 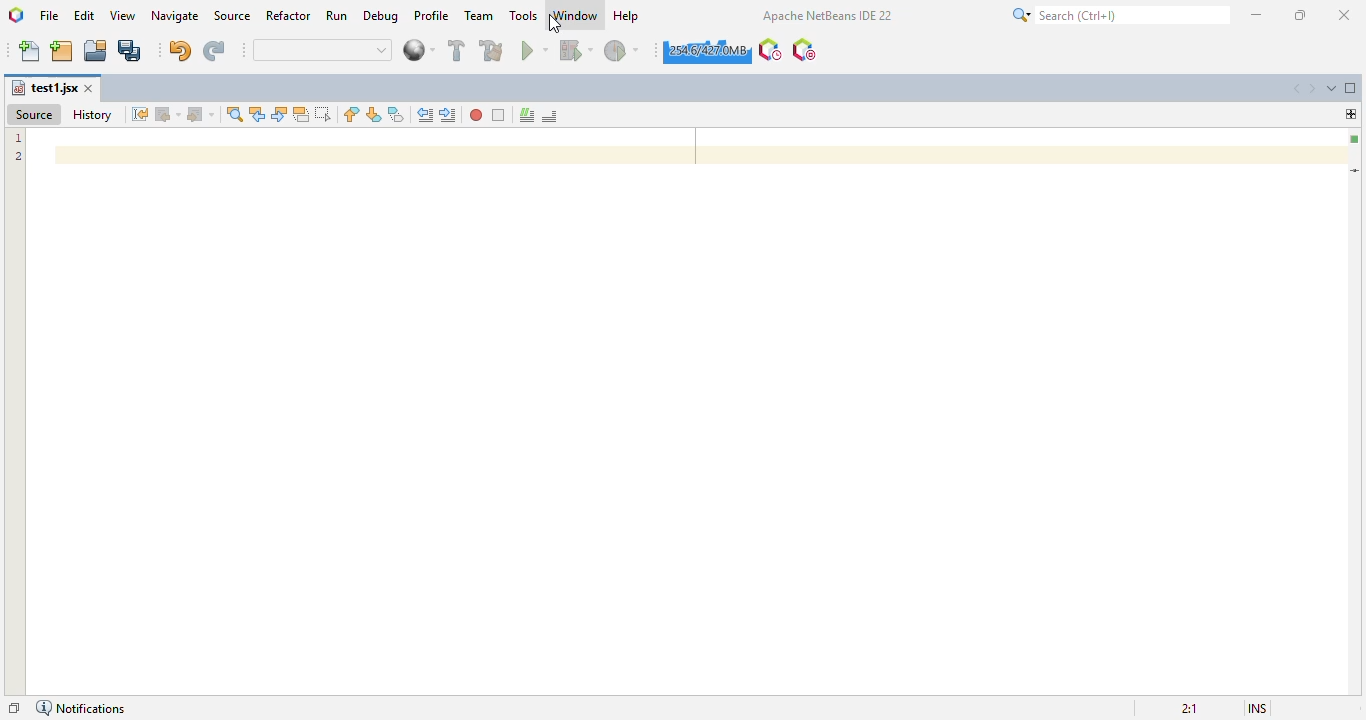 What do you see at coordinates (1354, 139) in the screenshot?
I see `no errors` at bounding box center [1354, 139].